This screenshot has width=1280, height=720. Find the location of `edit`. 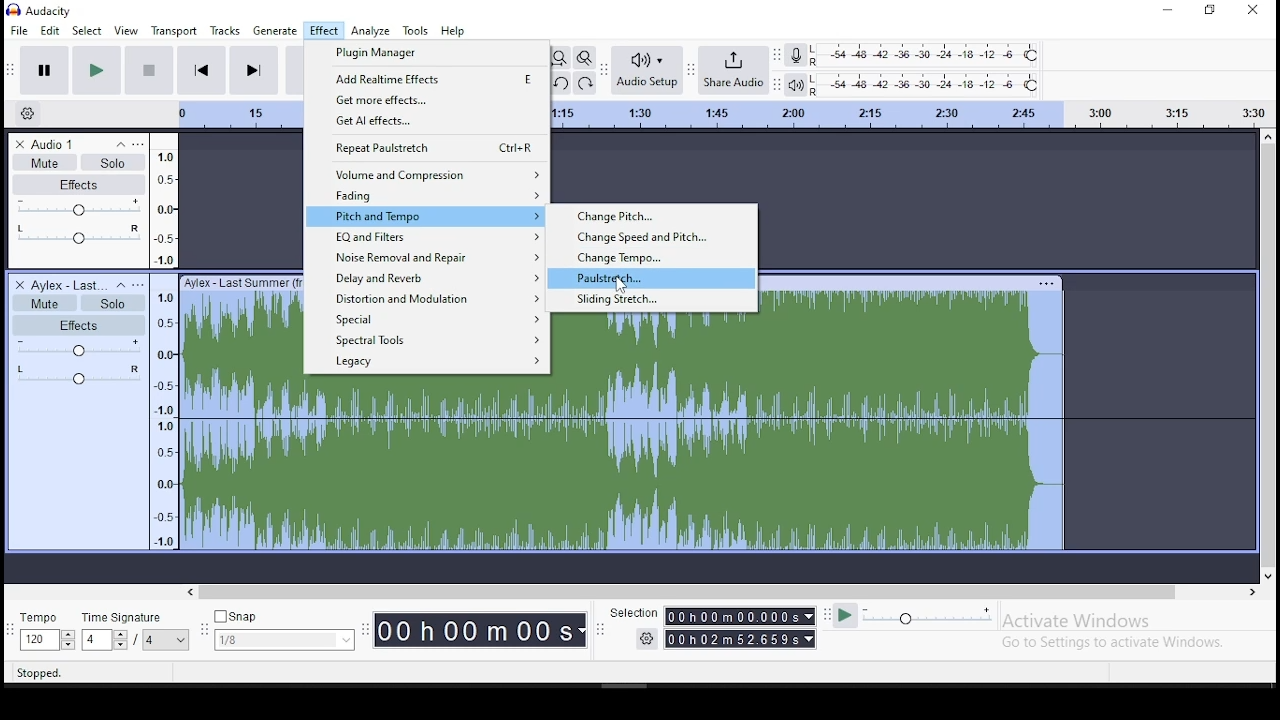

edit is located at coordinates (49, 30).